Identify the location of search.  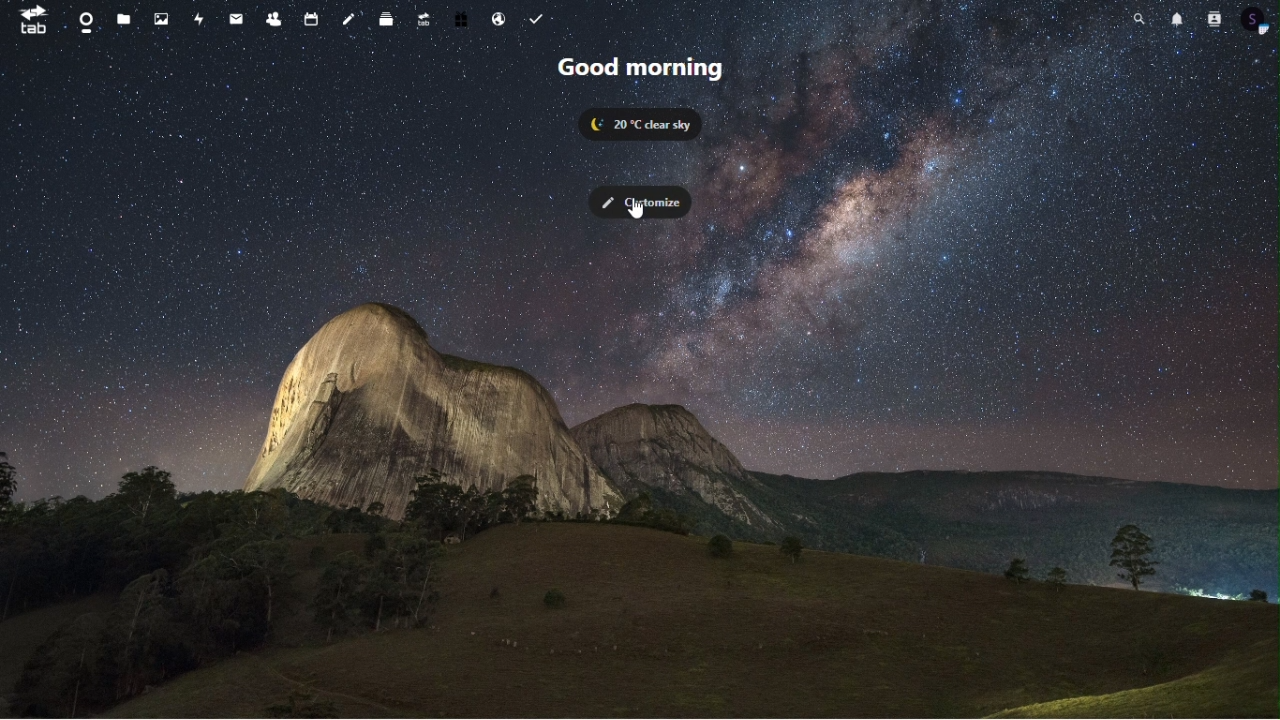
(1137, 18).